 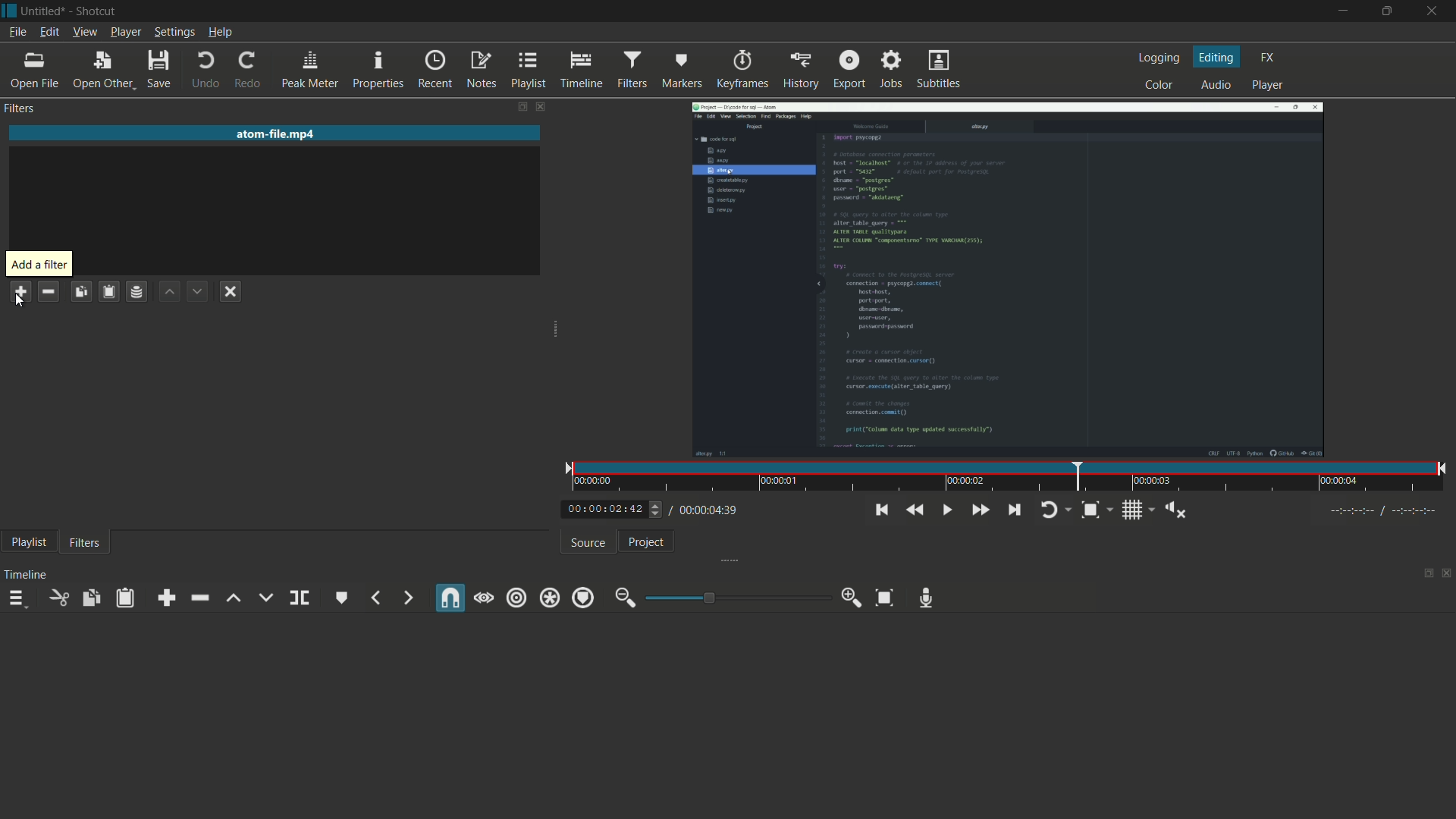 What do you see at coordinates (607, 510) in the screenshot?
I see `current itme` at bounding box center [607, 510].